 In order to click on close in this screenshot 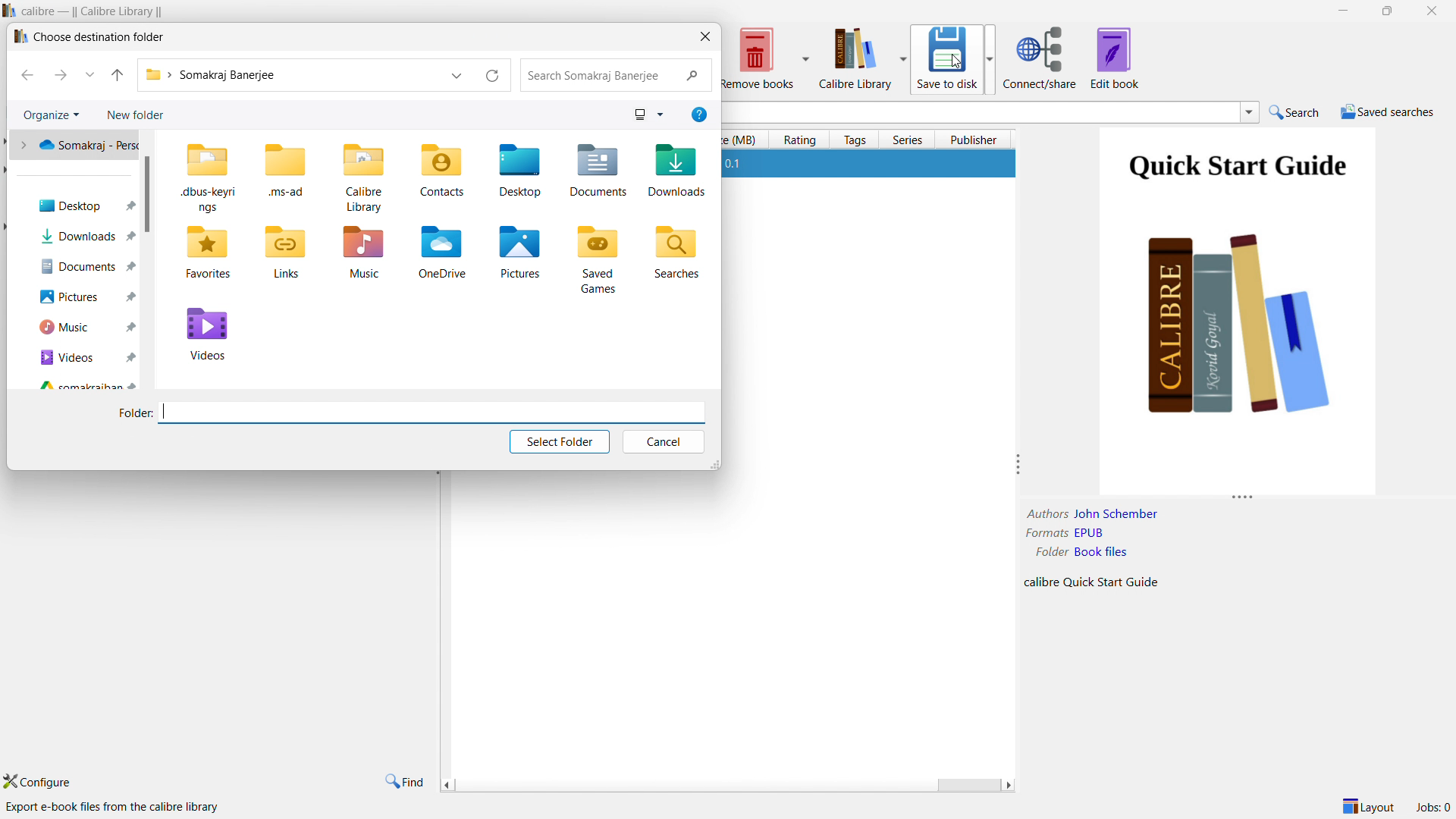, I will do `click(1429, 10)`.